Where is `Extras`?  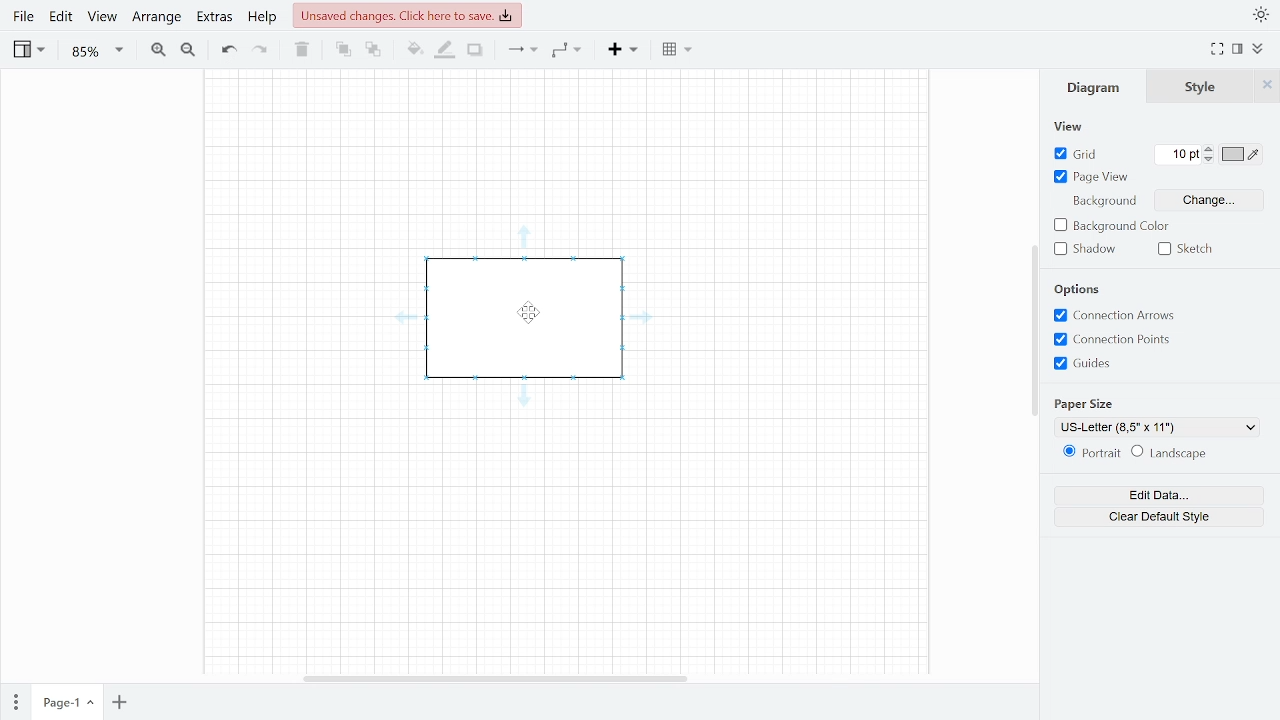 Extras is located at coordinates (213, 19).